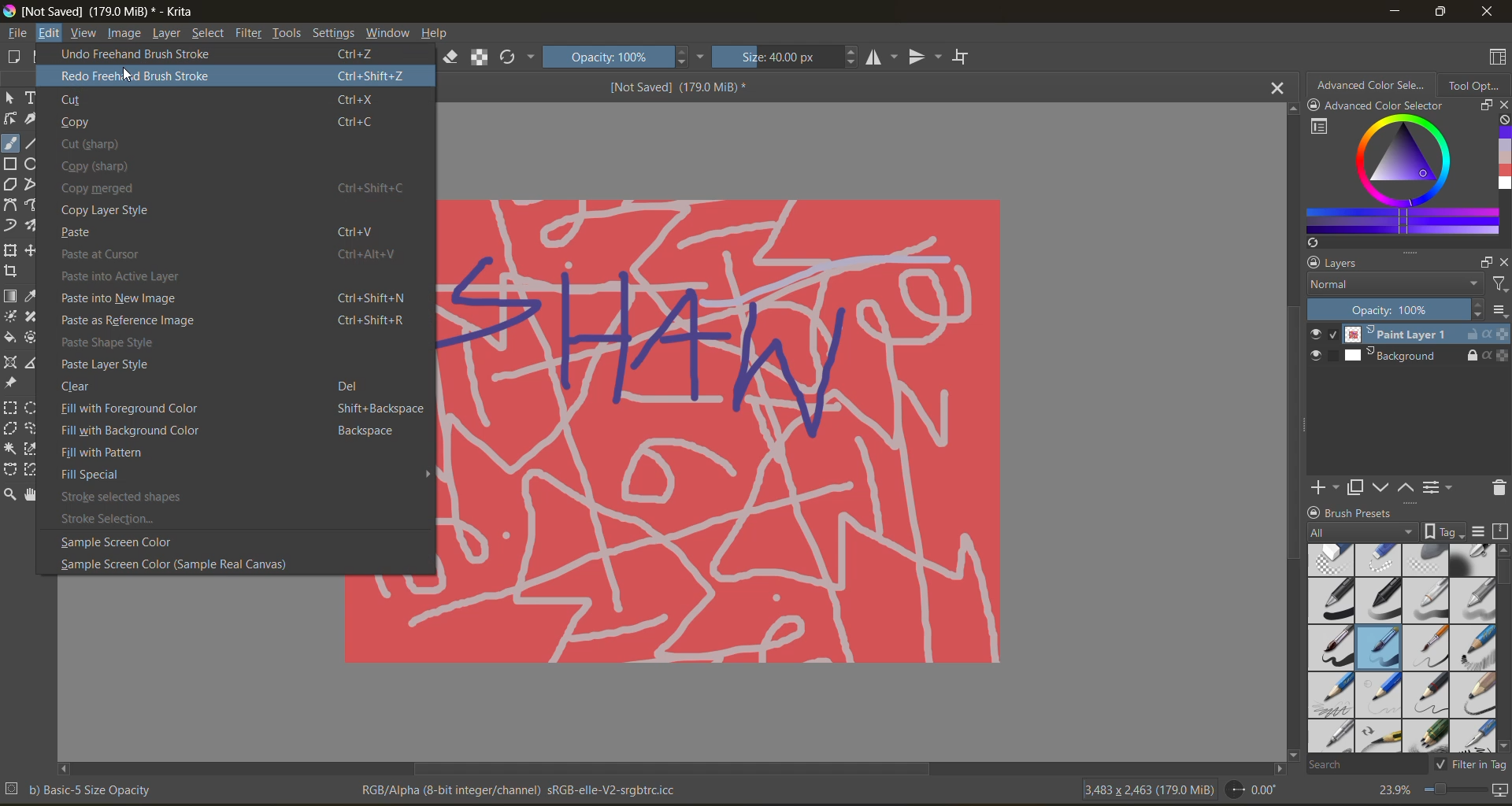  What do you see at coordinates (1499, 57) in the screenshot?
I see `choose workspace` at bounding box center [1499, 57].